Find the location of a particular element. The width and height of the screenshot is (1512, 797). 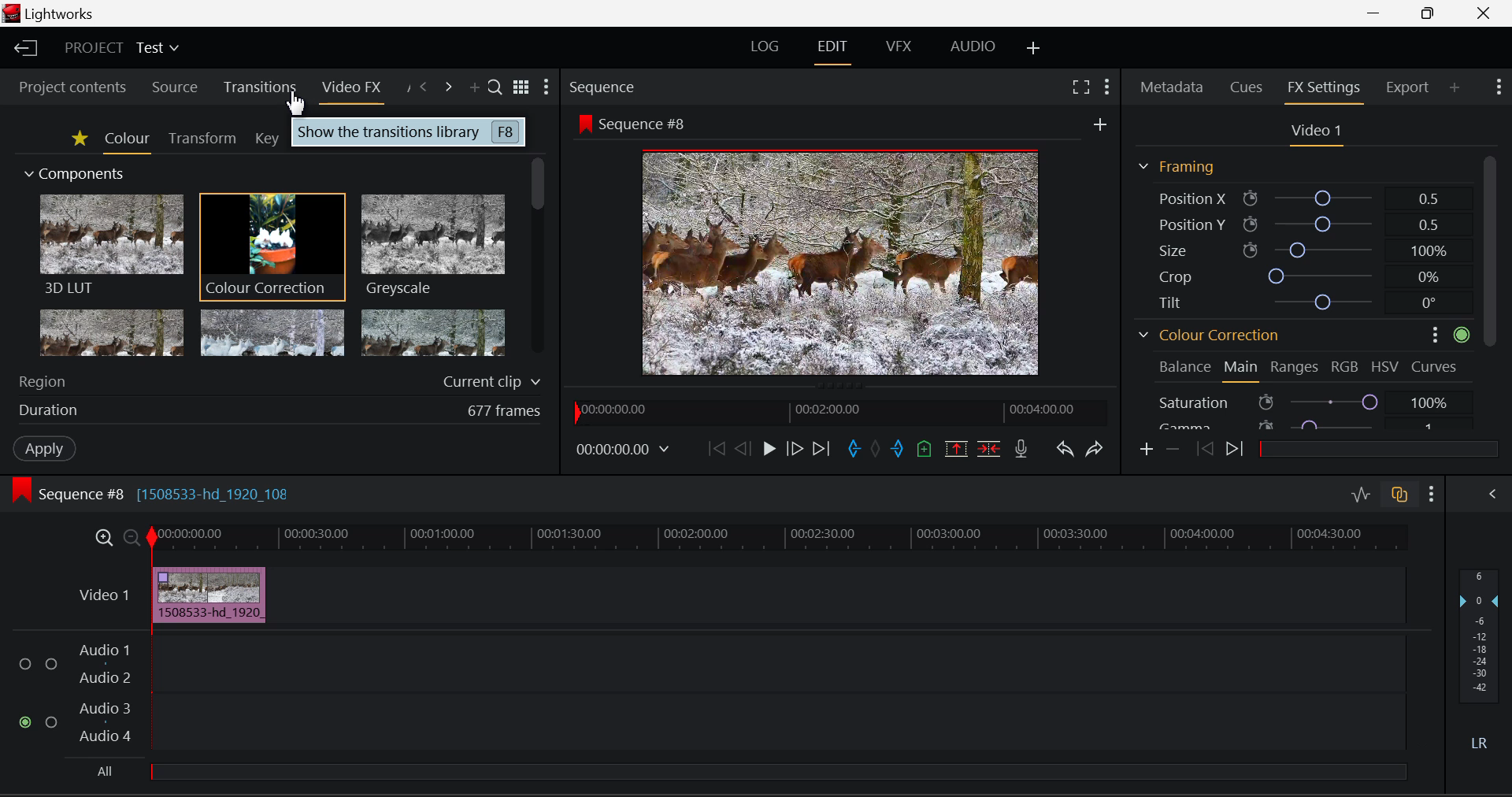

Audio 3 is located at coordinates (105, 710).